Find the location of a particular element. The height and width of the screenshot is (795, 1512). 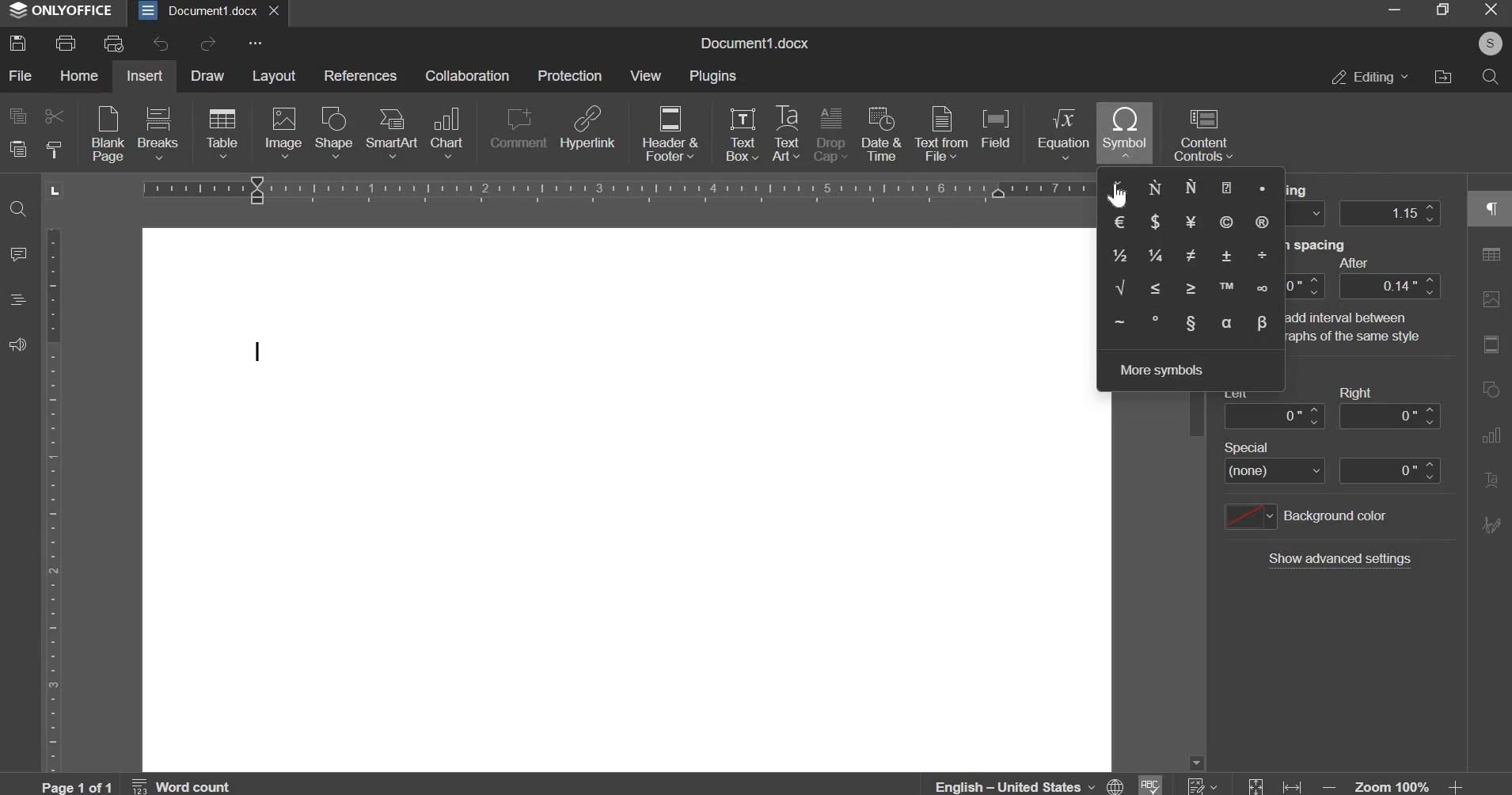

zoom is located at coordinates (1394, 786).